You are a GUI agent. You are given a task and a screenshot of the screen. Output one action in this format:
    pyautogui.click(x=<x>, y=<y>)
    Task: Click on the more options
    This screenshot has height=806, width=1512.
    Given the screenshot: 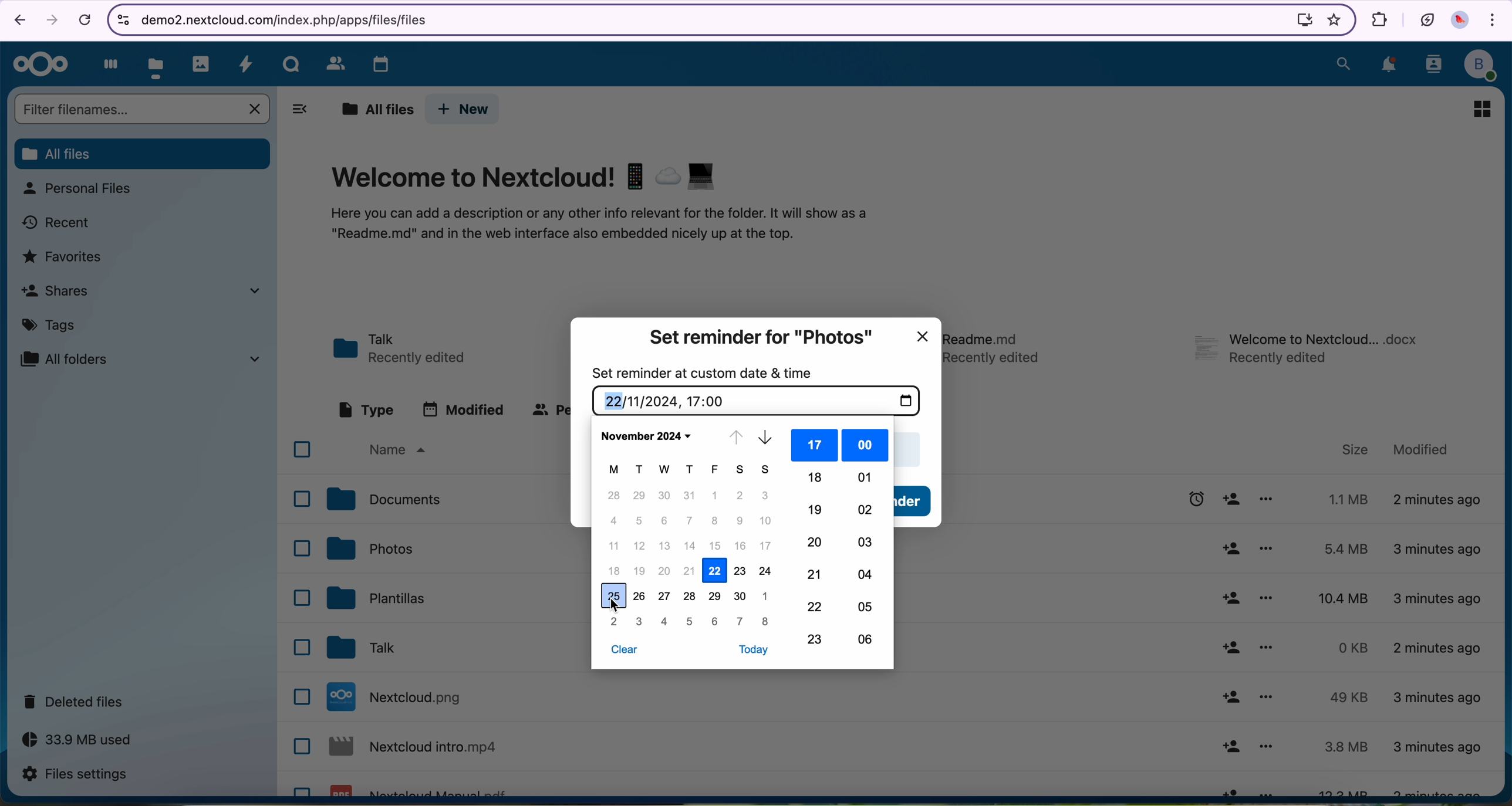 What is the action you would take?
    pyautogui.click(x=1265, y=648)
    